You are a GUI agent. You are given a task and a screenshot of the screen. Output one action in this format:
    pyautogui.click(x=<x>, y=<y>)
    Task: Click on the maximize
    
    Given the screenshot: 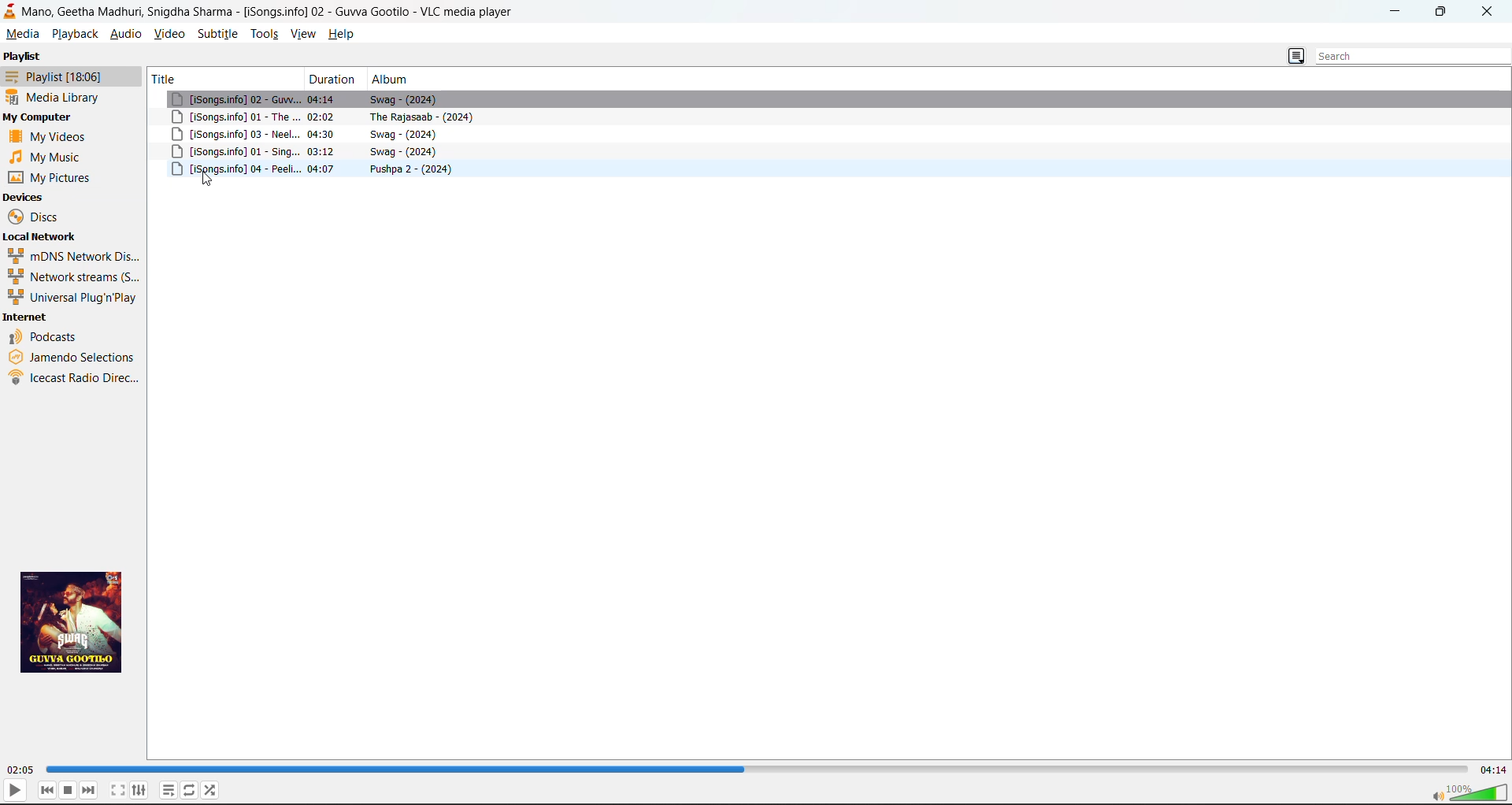 What is the action you would take?
    pyautogui.click(x=1443, y=13)
    